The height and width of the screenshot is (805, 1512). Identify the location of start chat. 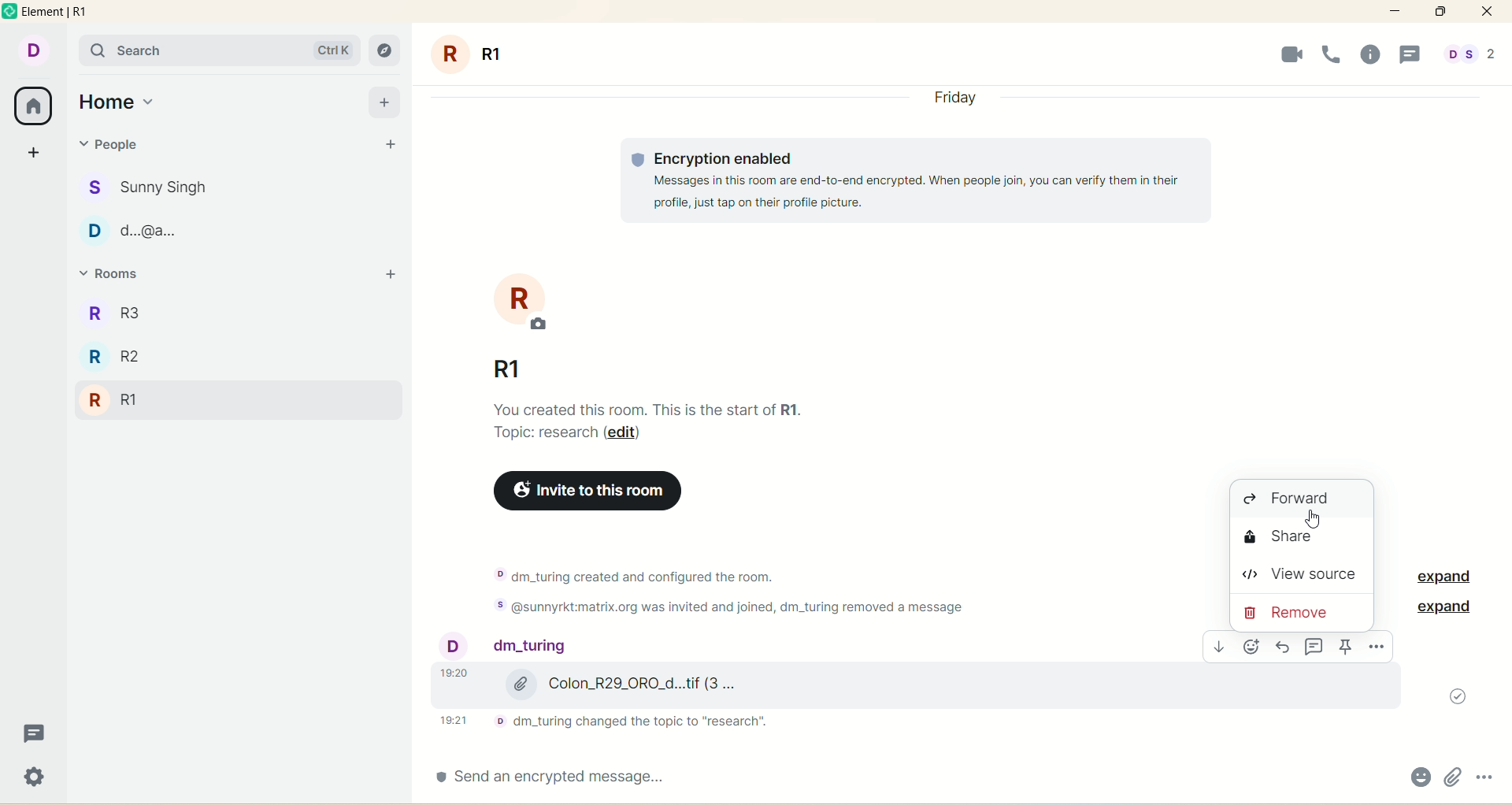
(388, 146).